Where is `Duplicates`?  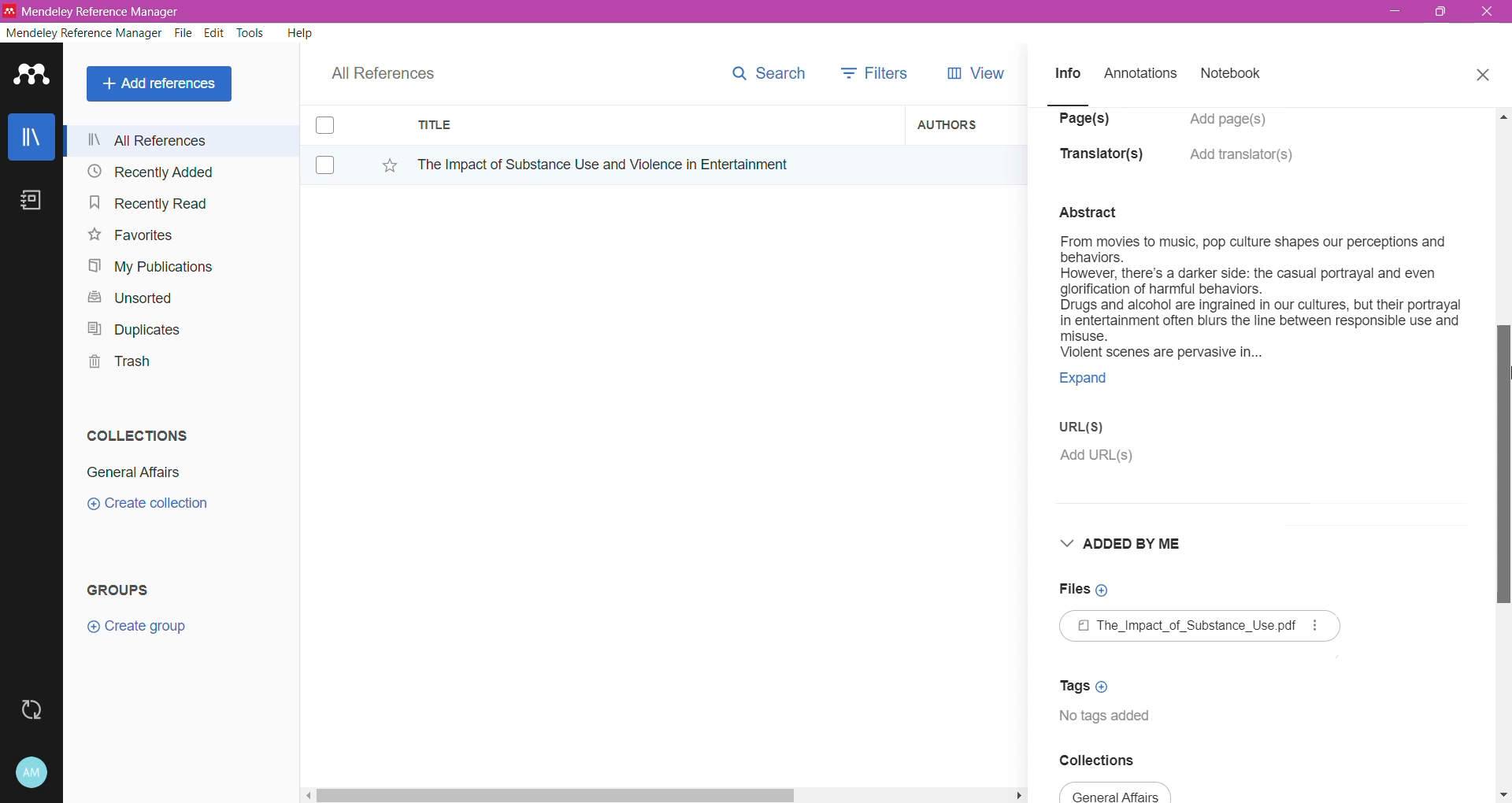
Duplicates is located at coordinates (129, 327).